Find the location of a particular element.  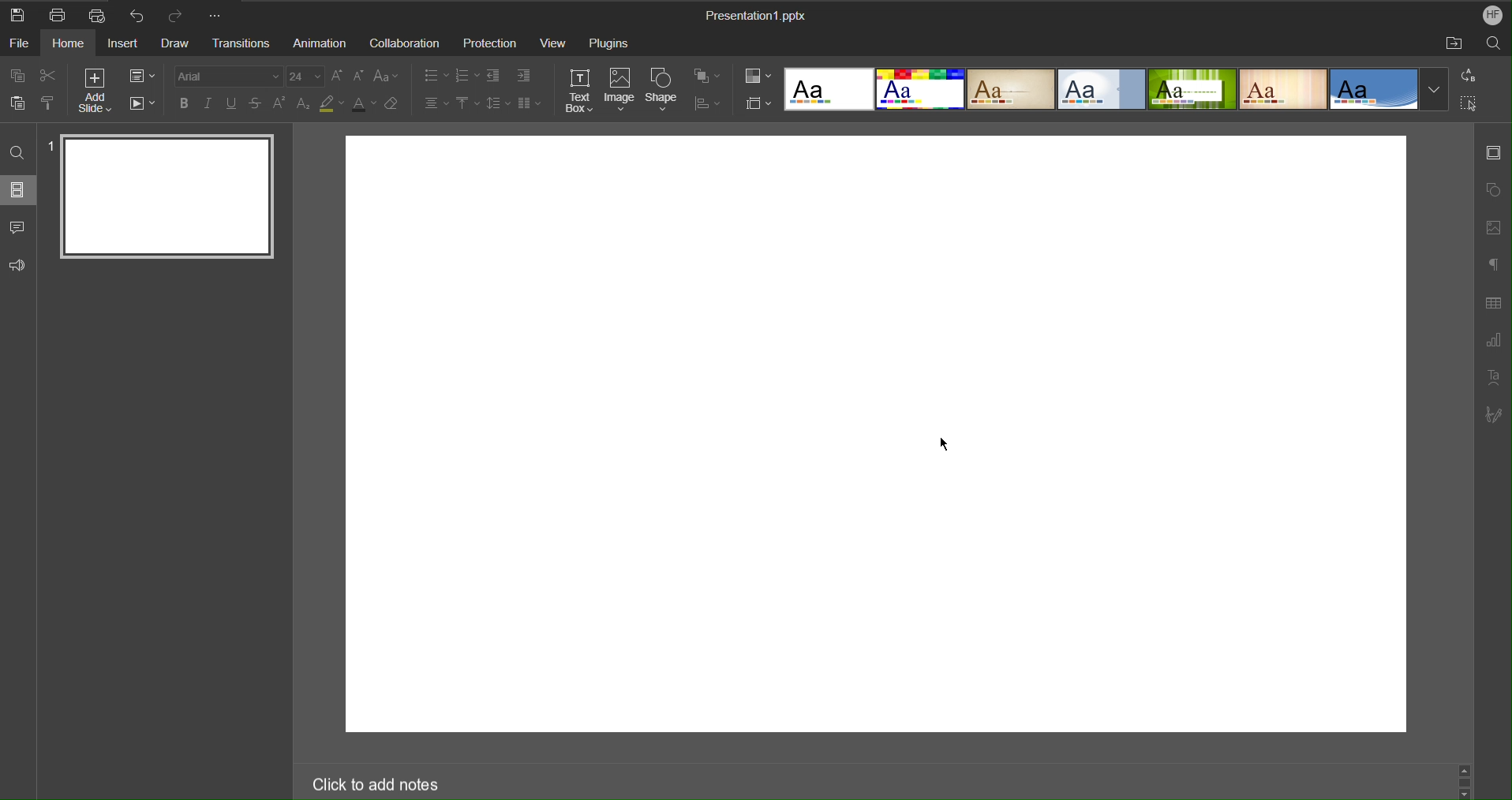

Draw is located at coordinates (174, 44).